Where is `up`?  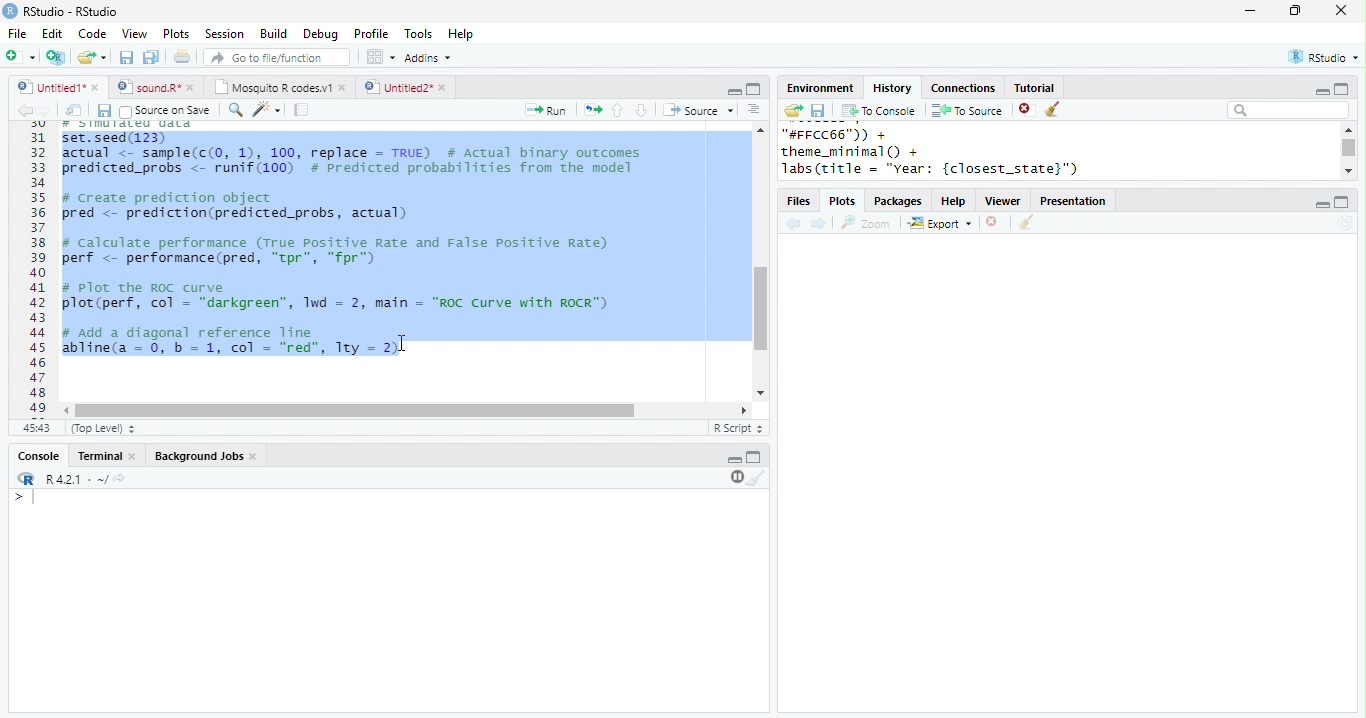 up is located at coordinates (616, 110).